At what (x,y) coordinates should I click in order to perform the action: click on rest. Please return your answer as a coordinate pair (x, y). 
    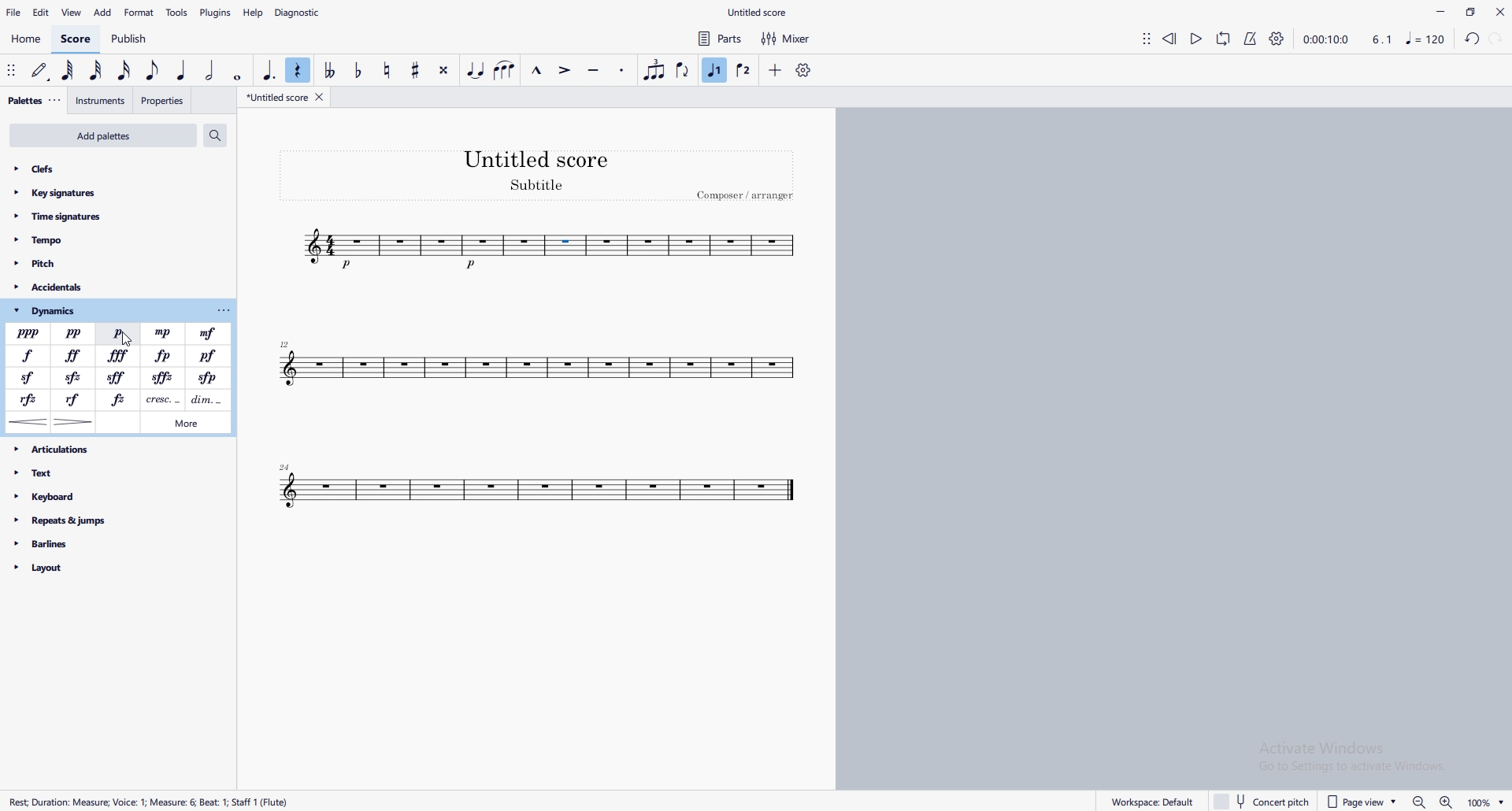
    Looking at the image, I should click on (299, 69).